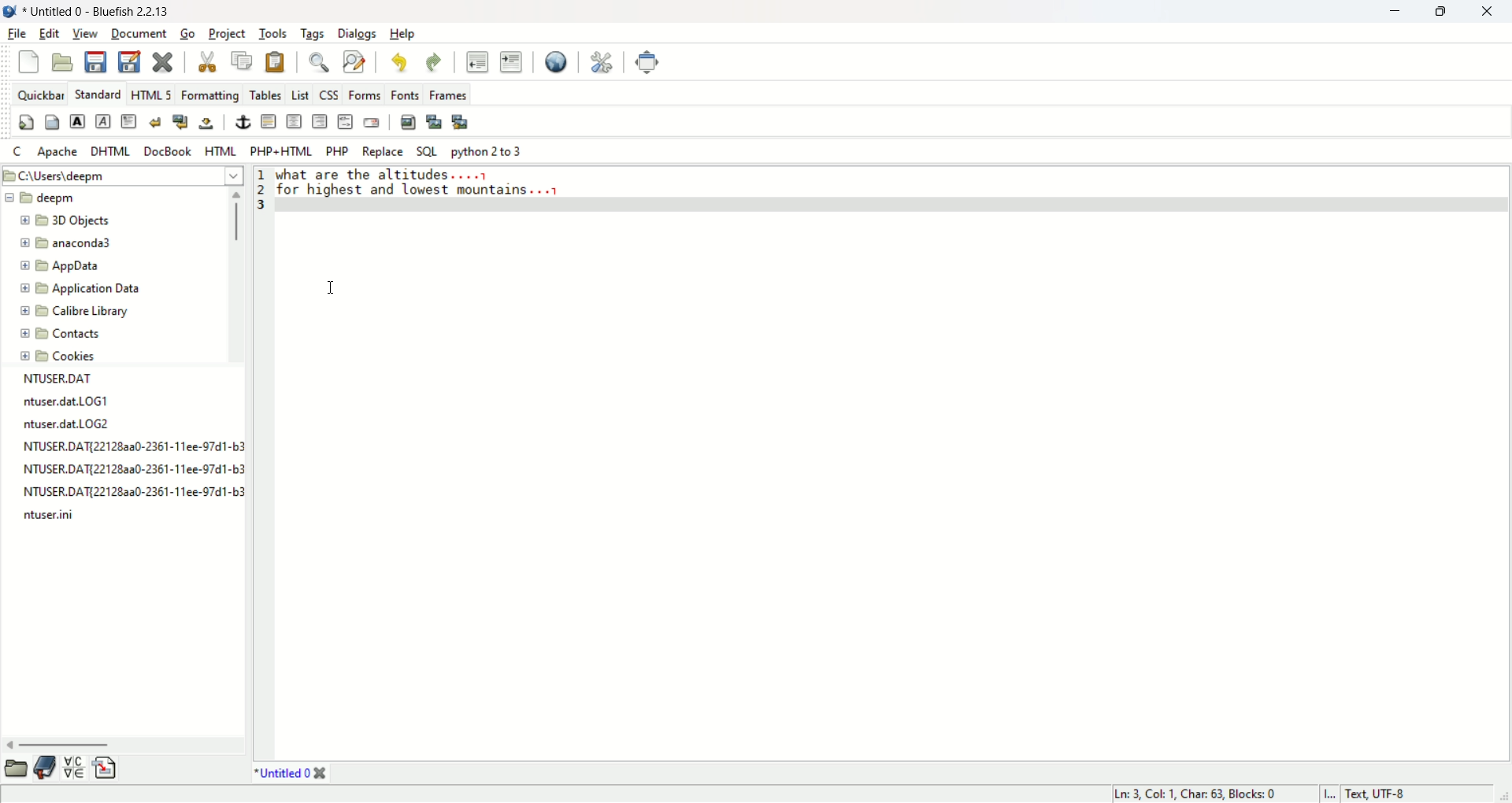  Describe the element at coordinates (237, 279) in the screenshot. I see `vertical scroll bar` at that location.